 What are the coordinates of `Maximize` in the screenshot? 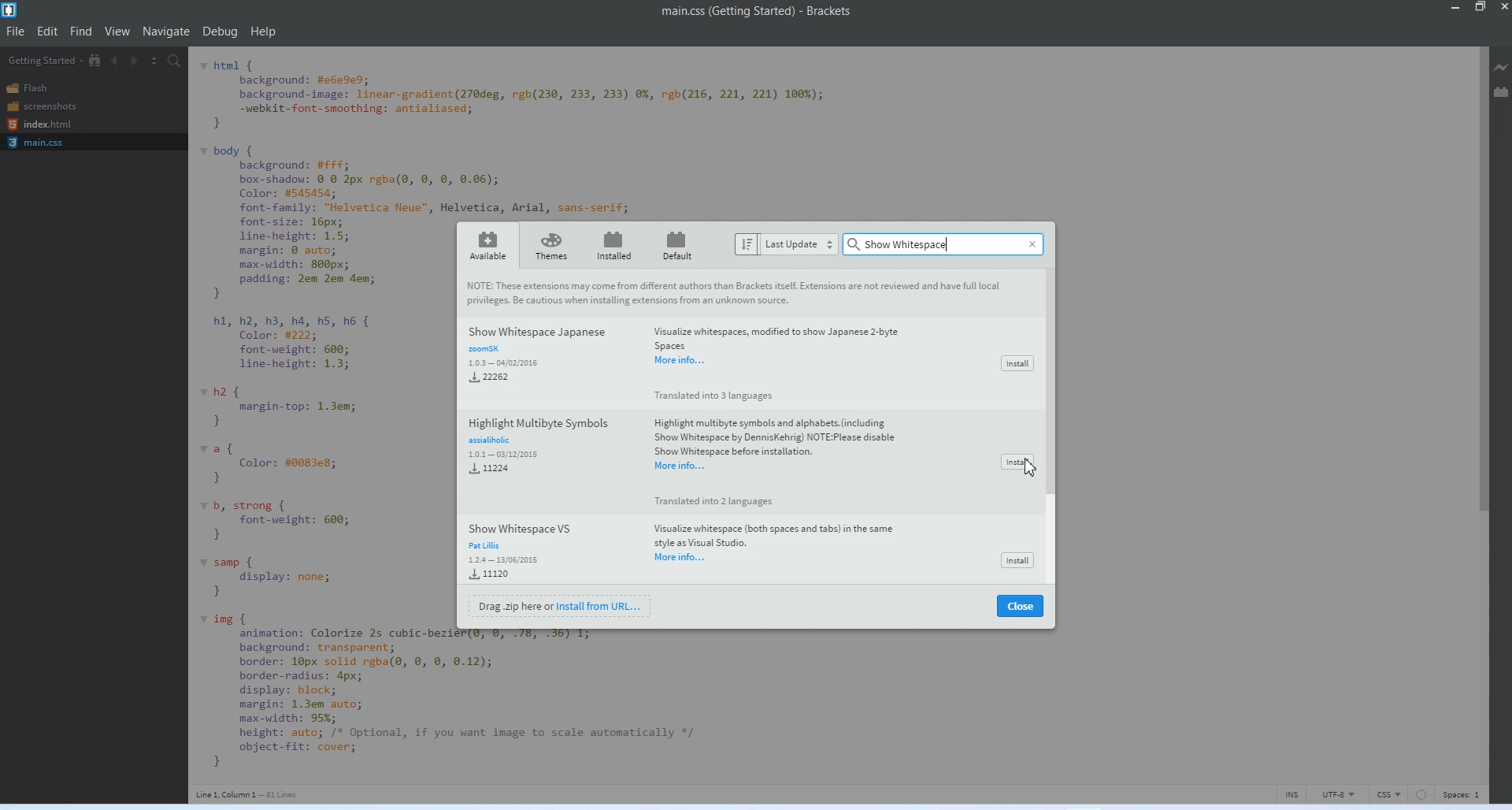 It's located at (1480, 8).